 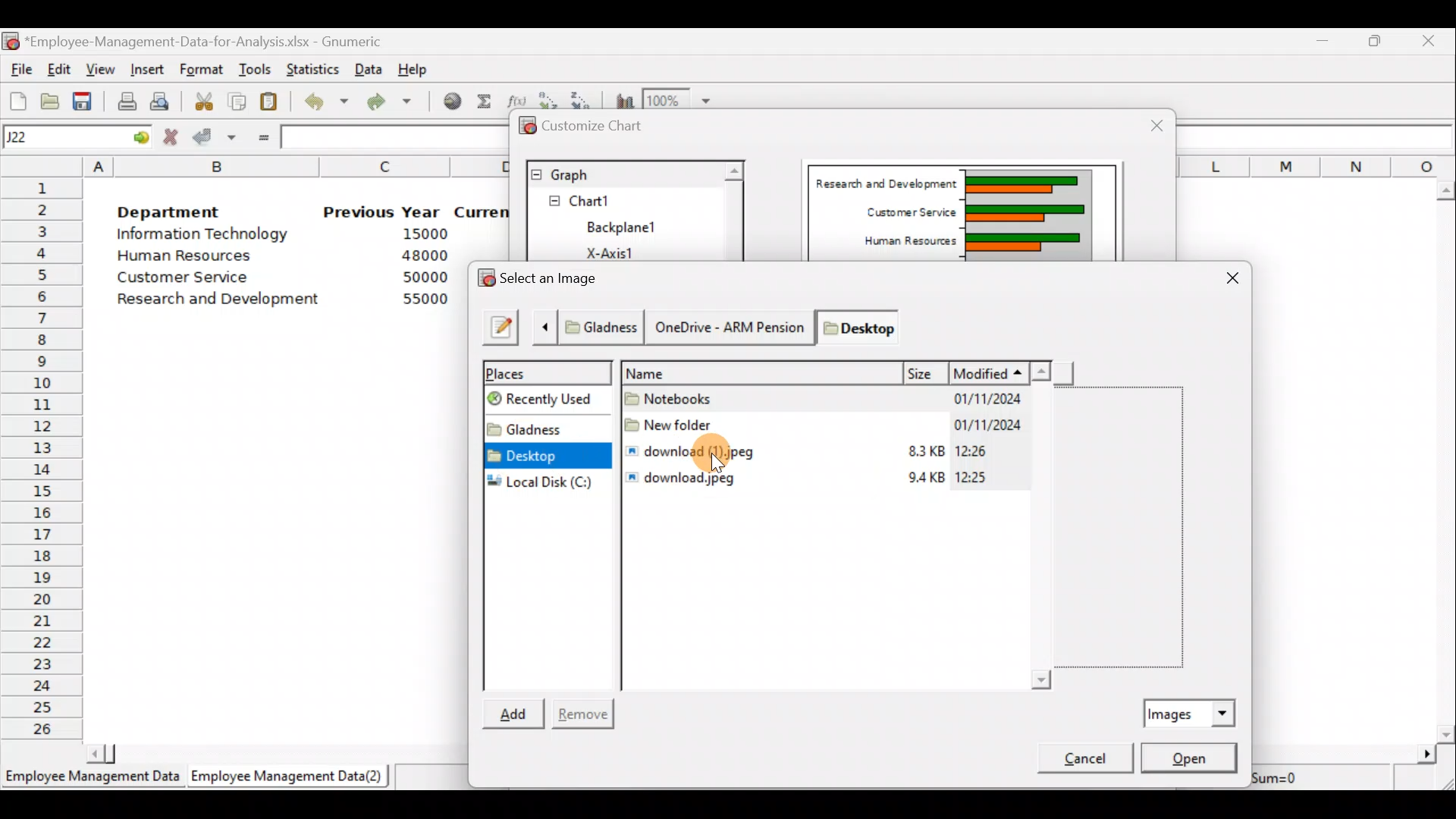 I want to click on Close, so click(x=1147, y=124).